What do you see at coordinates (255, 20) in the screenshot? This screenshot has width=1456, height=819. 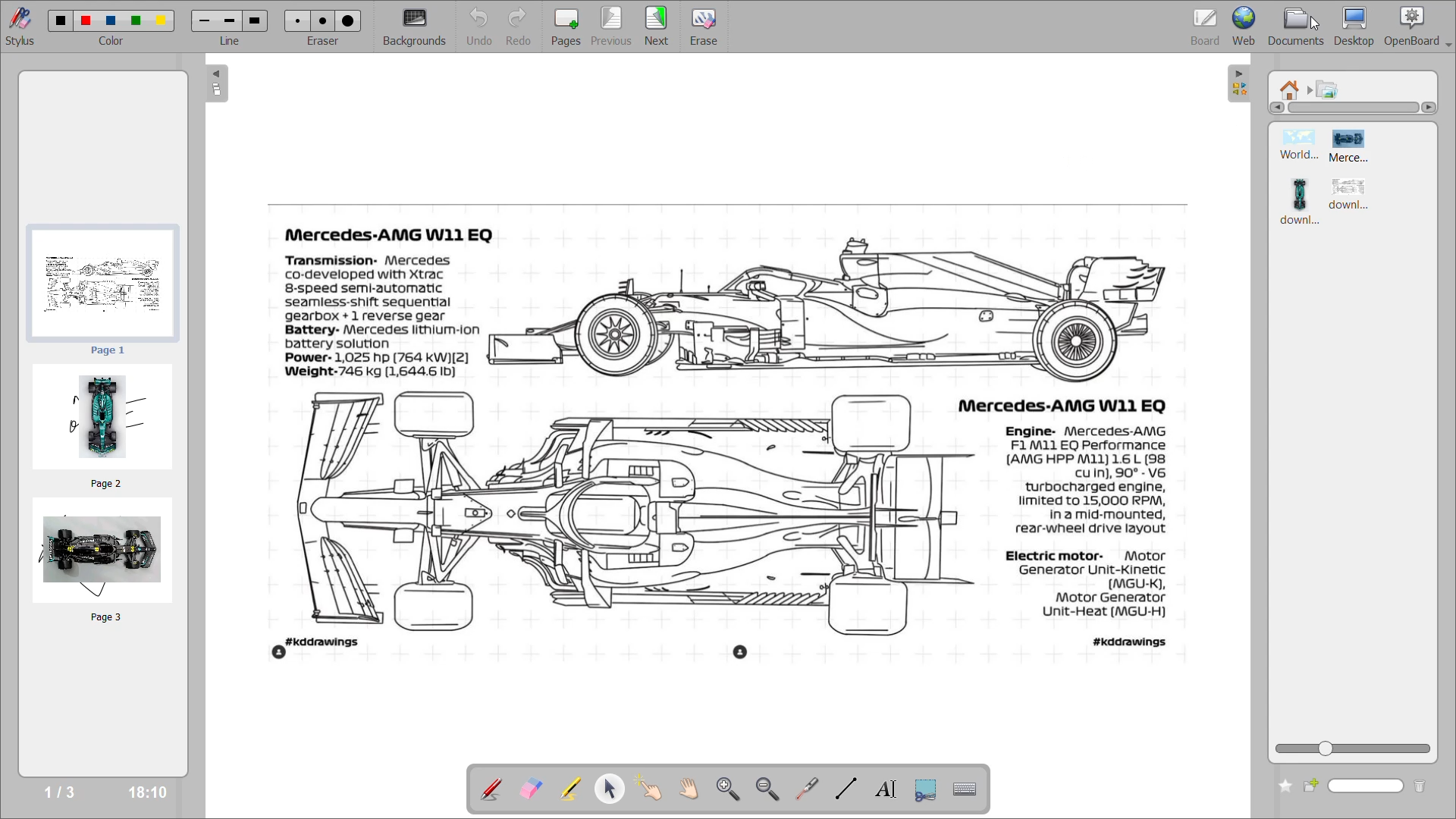 I see `line3` at bounding box center [255, 20].